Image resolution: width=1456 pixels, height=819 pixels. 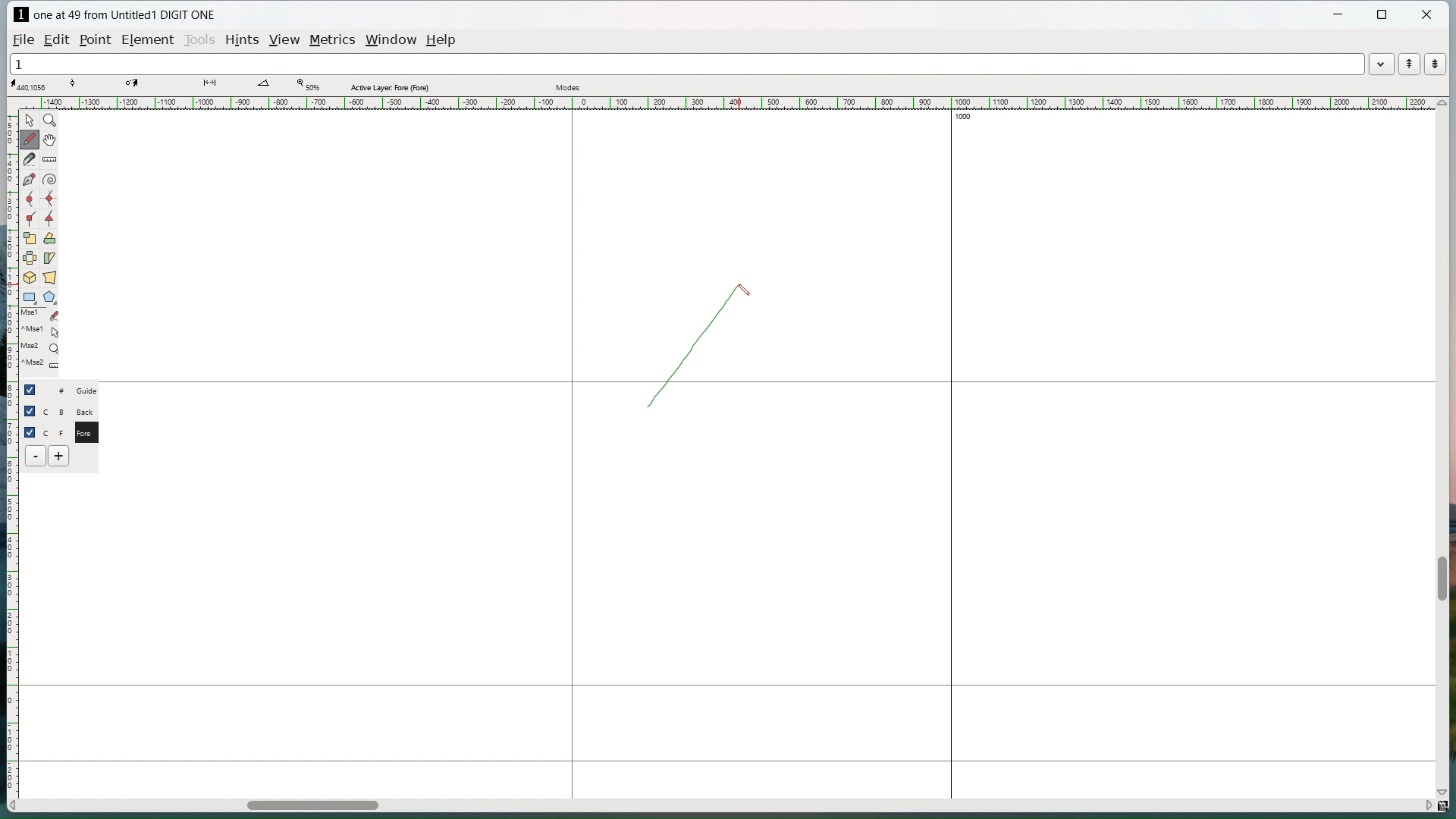 I want to click on flip the selection, so click(x=30, y=258).